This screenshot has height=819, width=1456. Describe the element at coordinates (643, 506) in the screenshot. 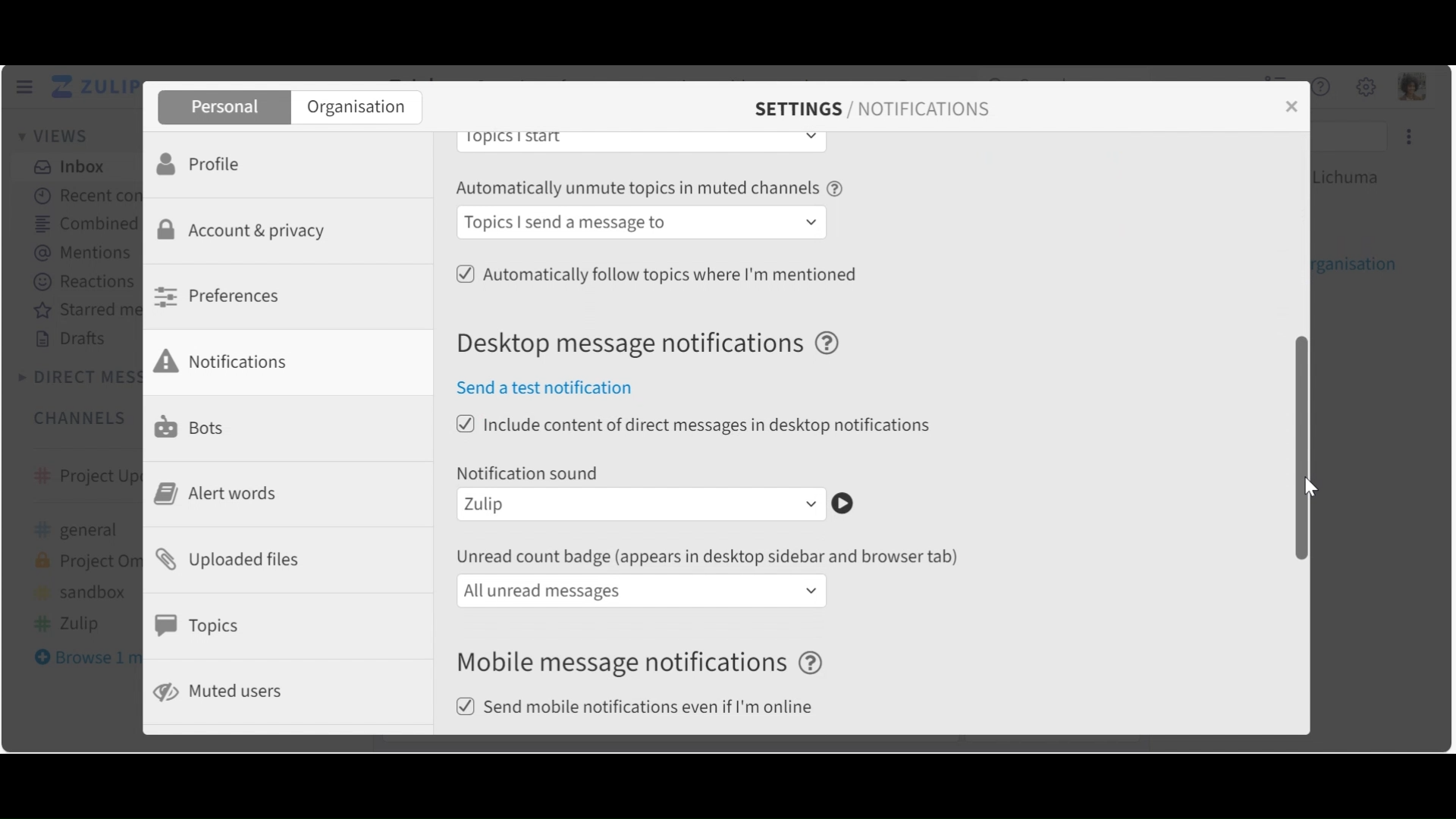

I see `Notification sound dropdown menu` at that location.